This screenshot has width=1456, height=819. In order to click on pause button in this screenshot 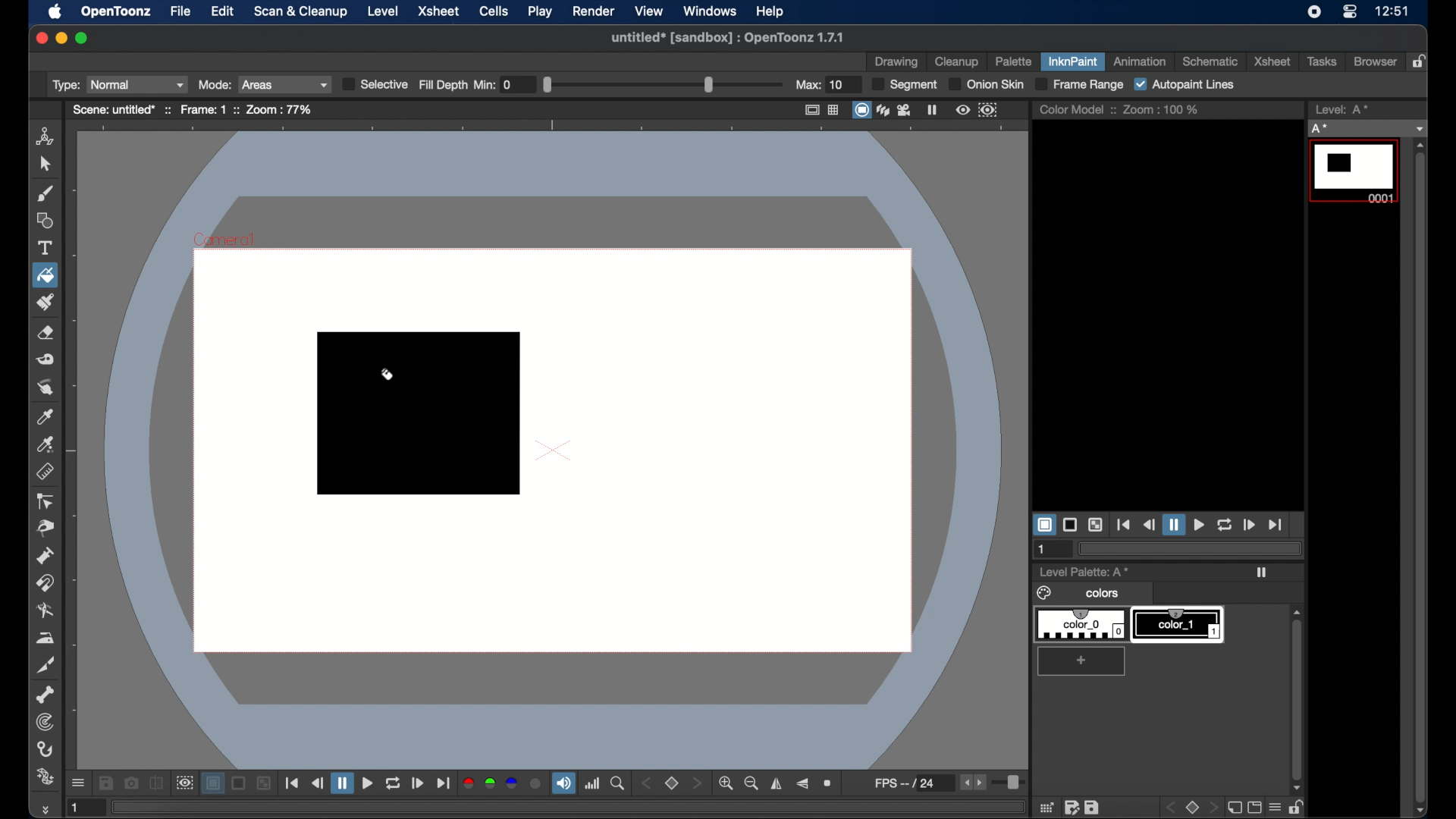, I will do `click(342, 783)`.